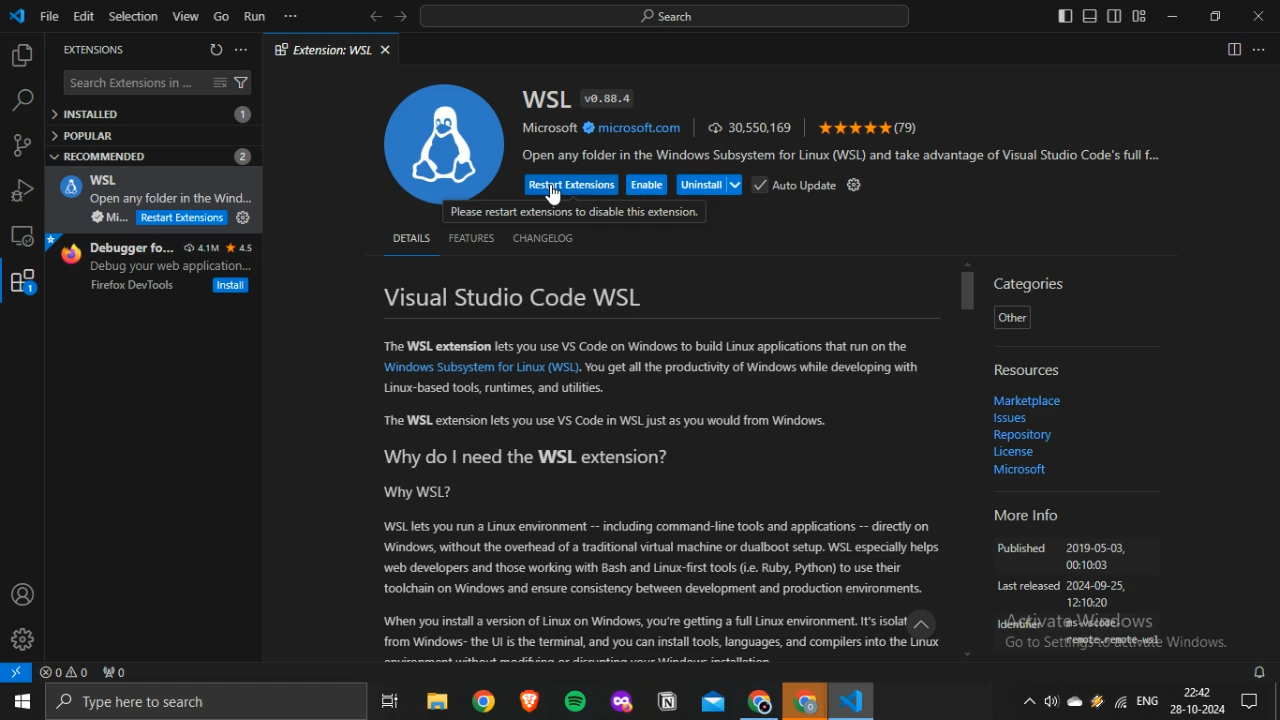 This screenshot has height=720, width=1280. I want to click on Uninstall, so click(710, 185).